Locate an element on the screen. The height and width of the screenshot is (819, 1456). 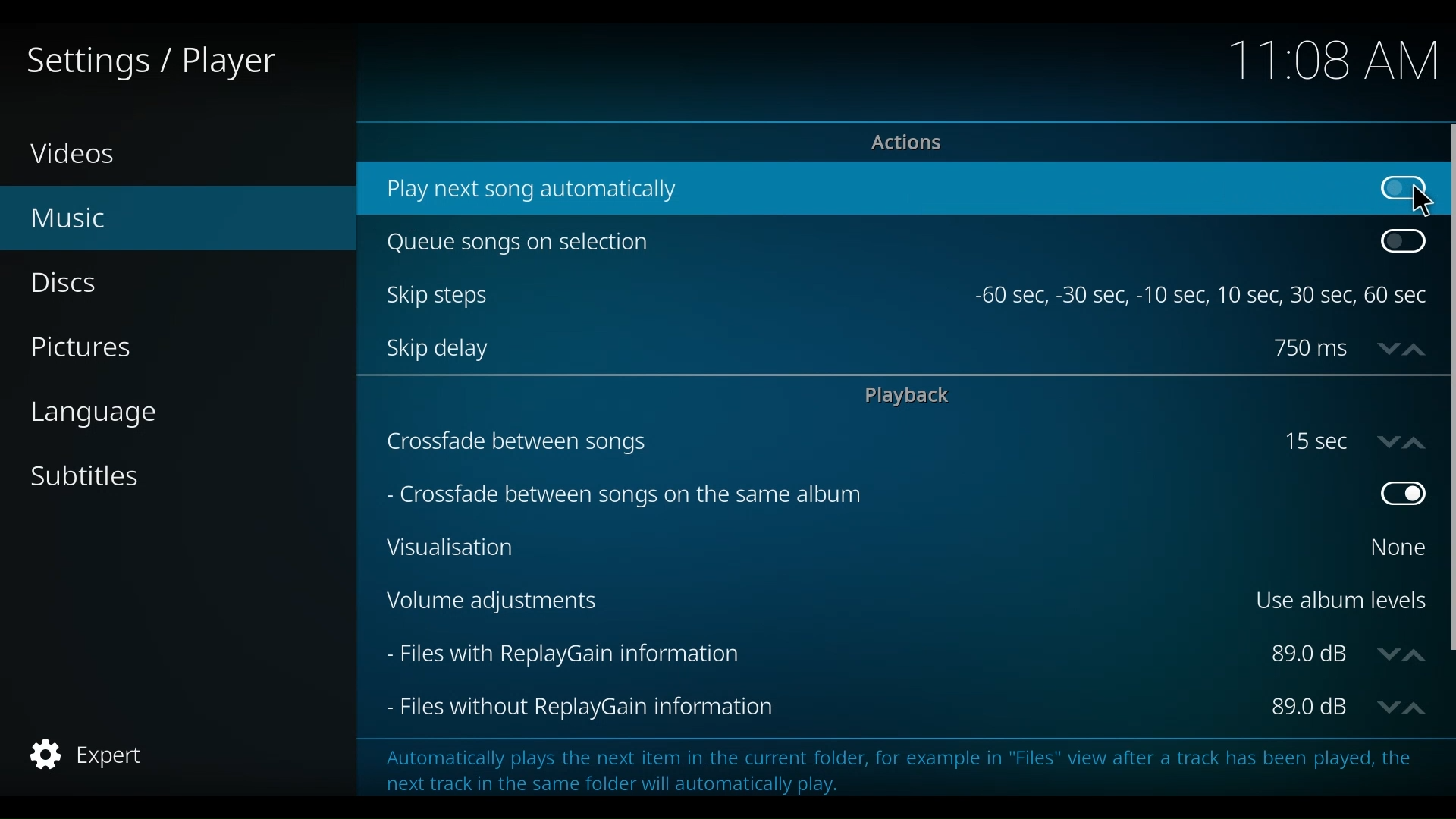
Videos is located at coordinates (80, 155).